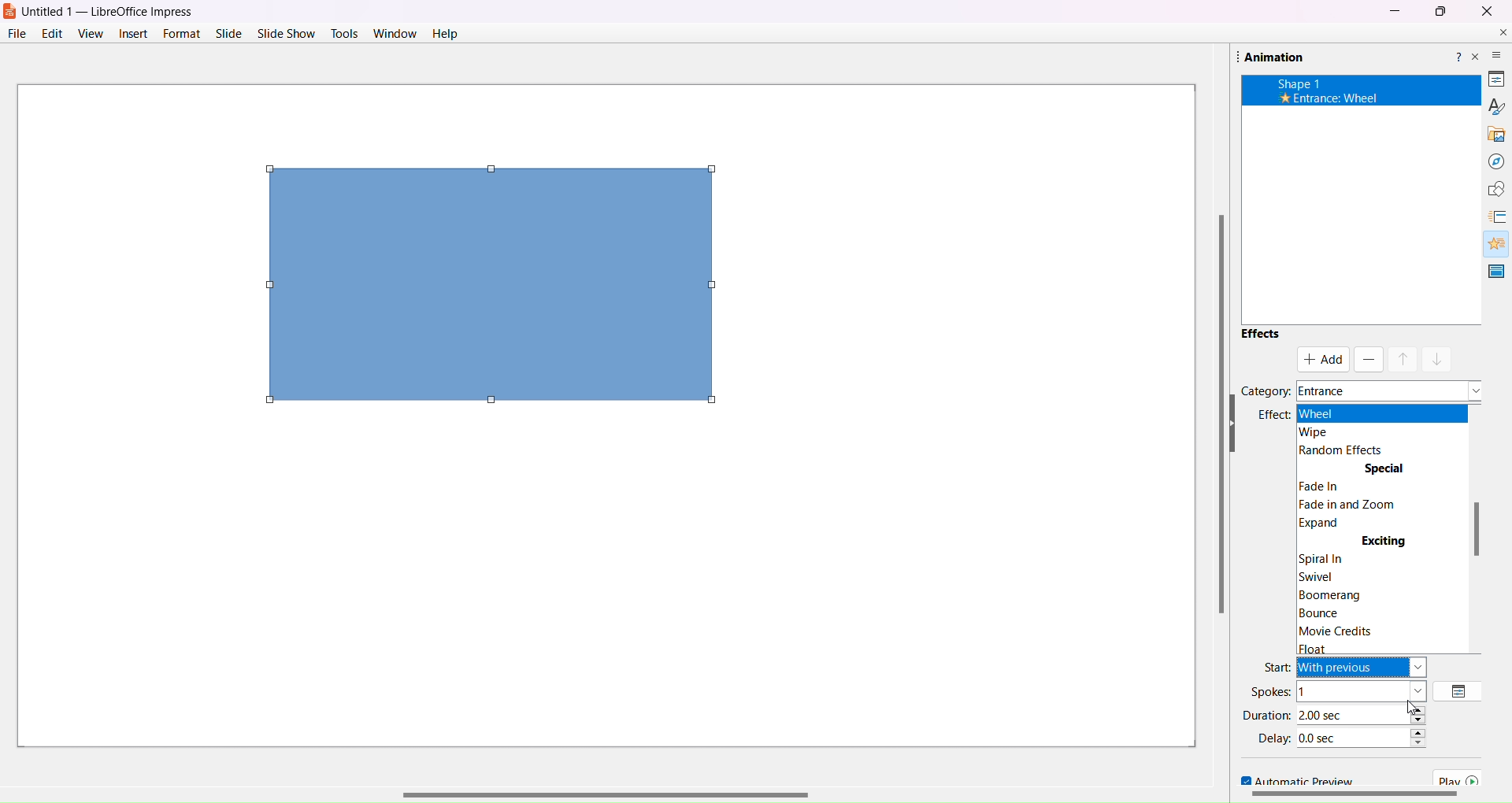 The width and height of the screenshot is (1512, 803). What do you see at coordinates (1394, 10) in the screenshot?
I see `Minimize` at bounding box center [1394, 10].